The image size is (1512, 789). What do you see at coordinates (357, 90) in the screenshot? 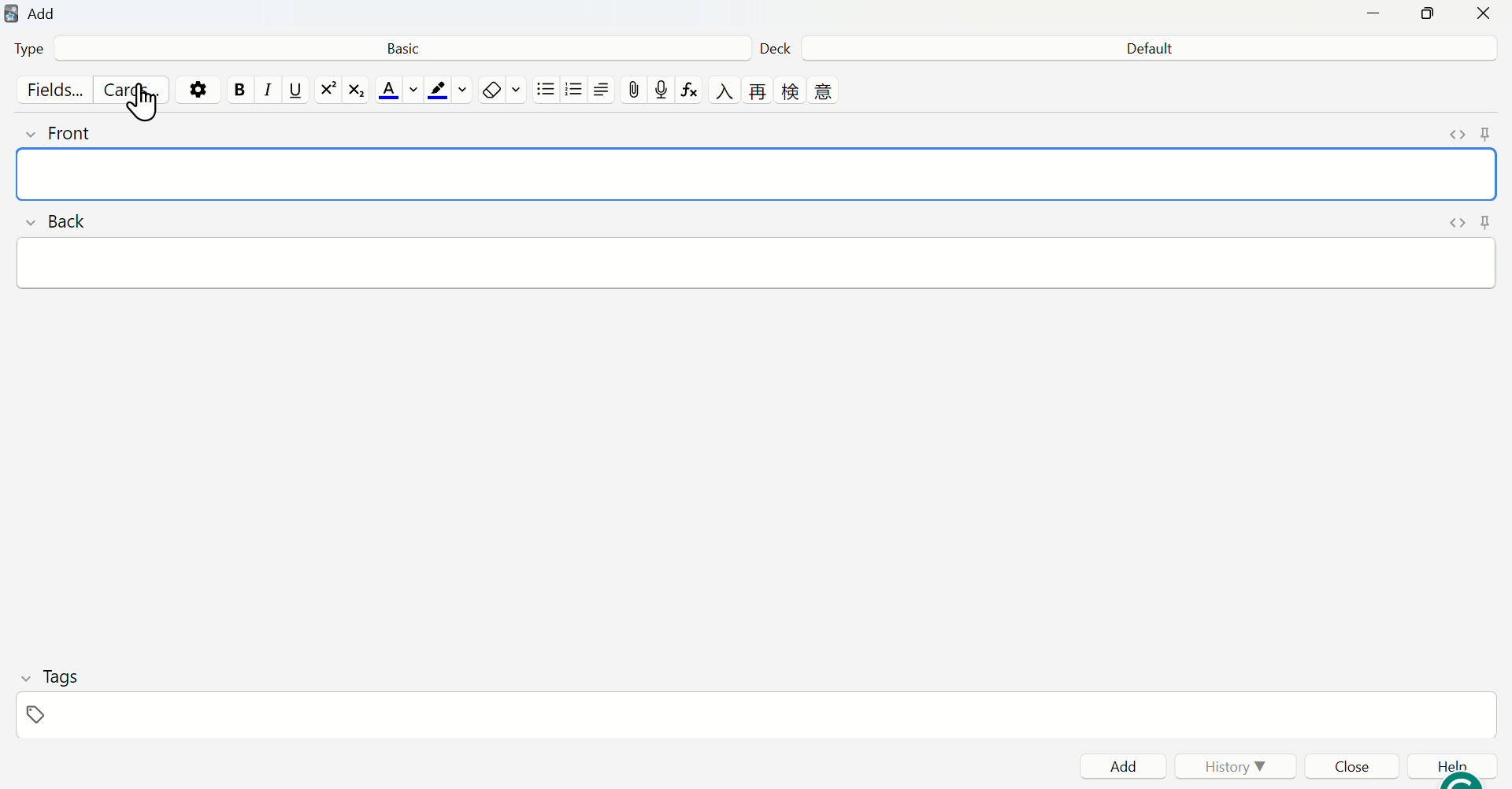
I see `Subscript` at bounding box center [357, 90].